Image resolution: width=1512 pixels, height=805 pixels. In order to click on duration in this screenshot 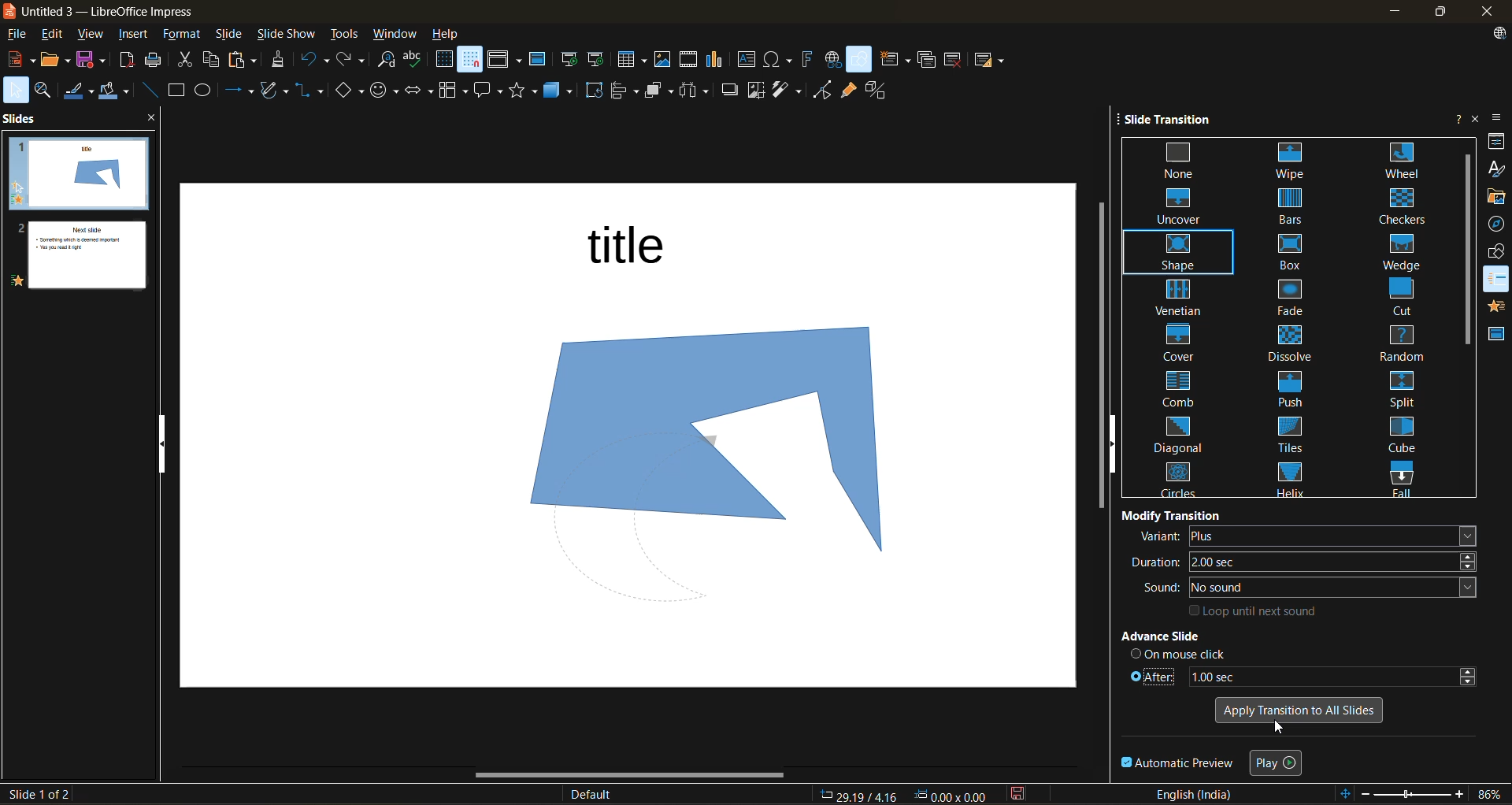, I will do `click(1307, 562)`.